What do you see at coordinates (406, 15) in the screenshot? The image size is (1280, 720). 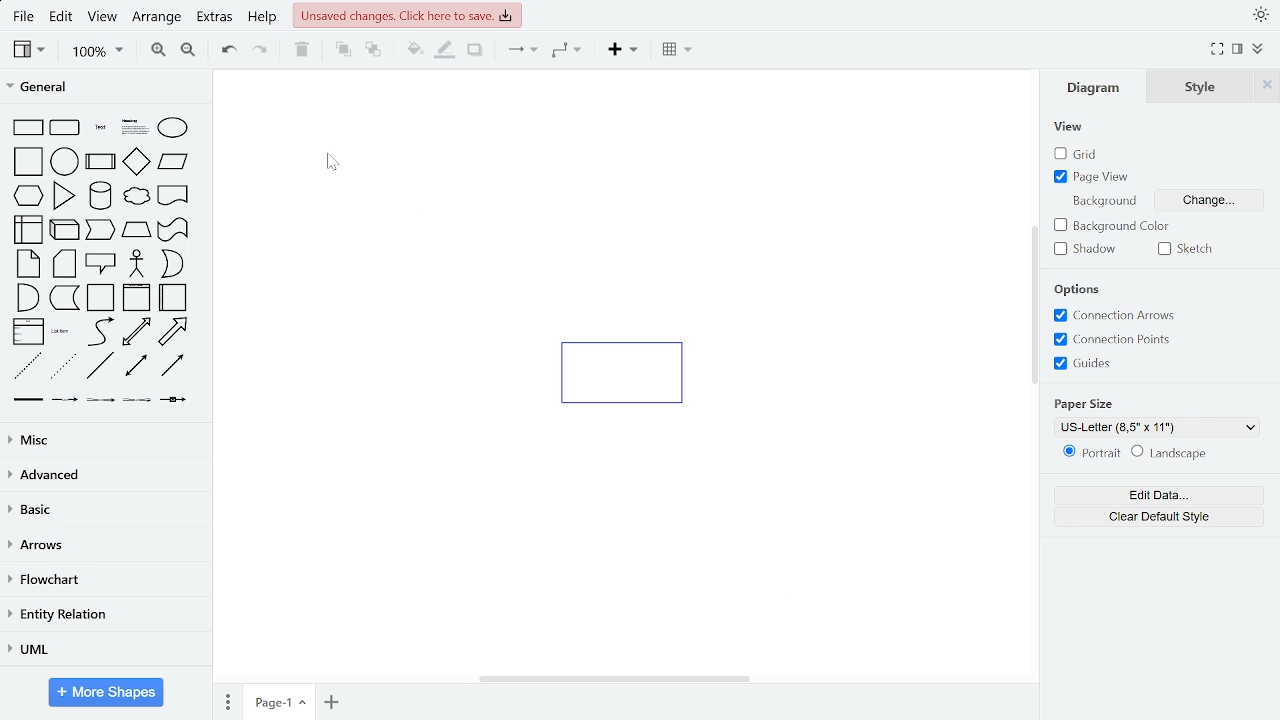 I see `unsaved changes. Click here to save` at bounding box center [406, 15].